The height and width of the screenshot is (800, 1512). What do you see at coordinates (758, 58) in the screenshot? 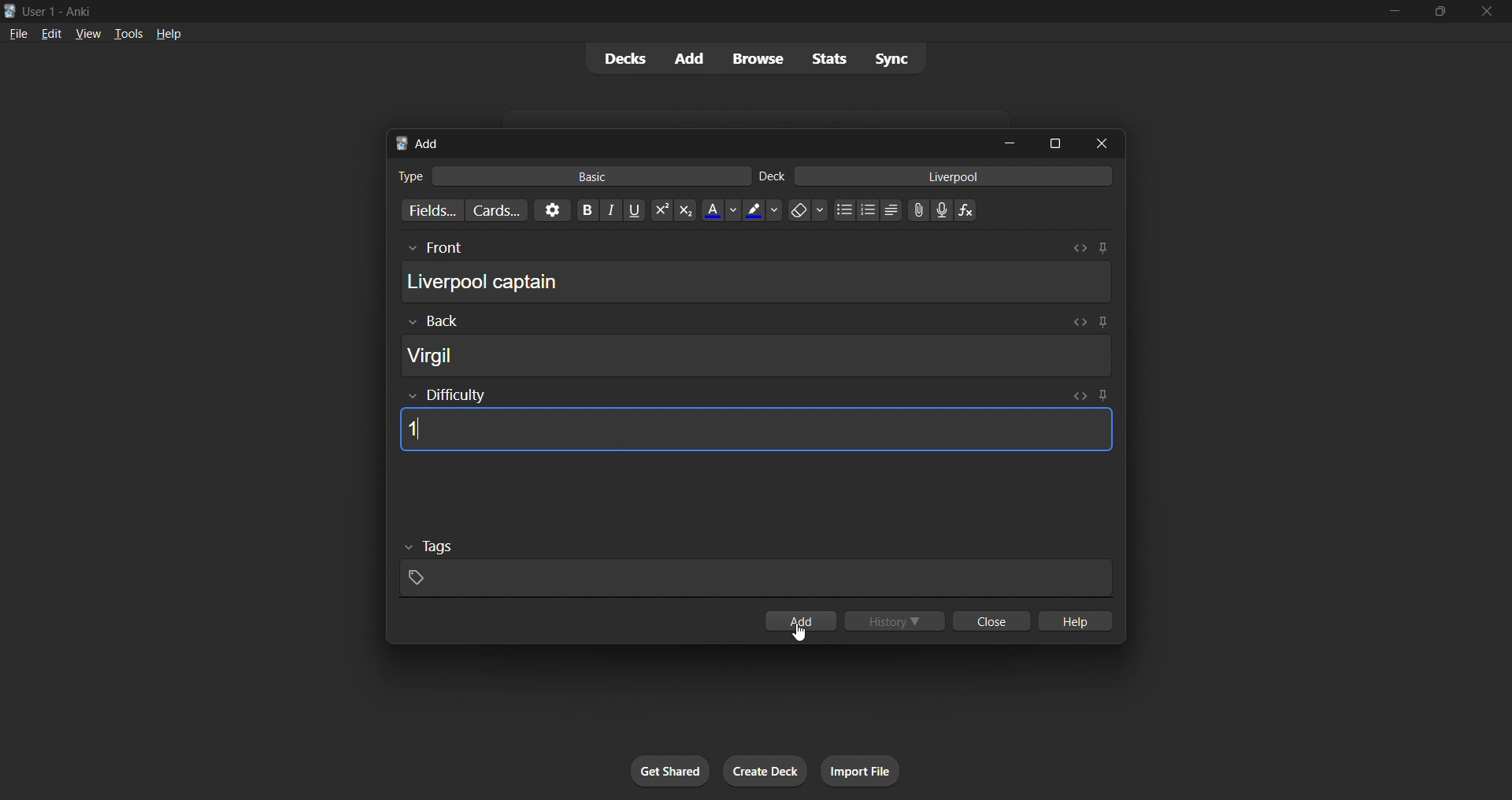
I see `browse` at bounding box center [758, 58].